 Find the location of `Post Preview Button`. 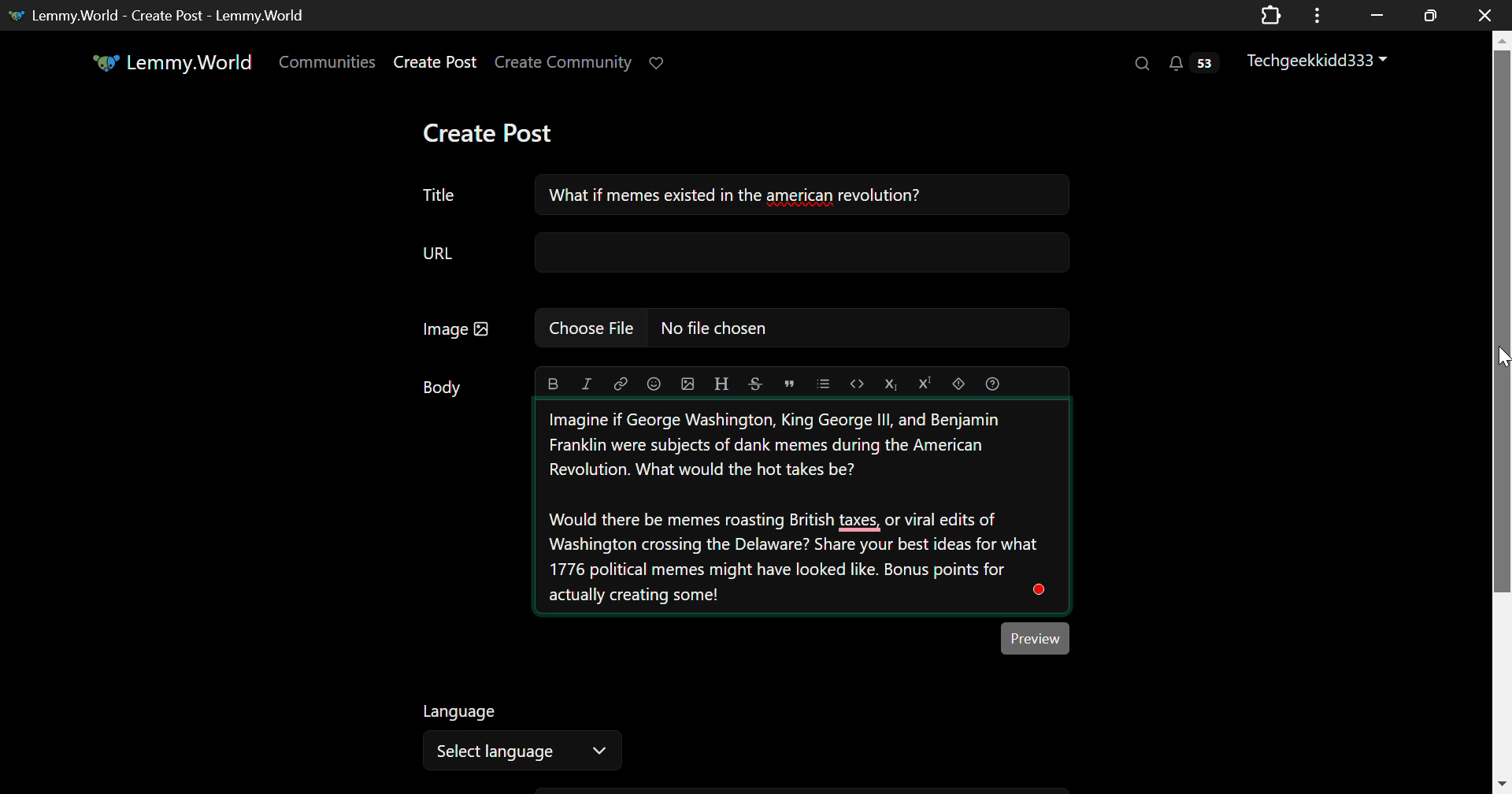

Post Preview Button is located at coordinates (1036, 639).